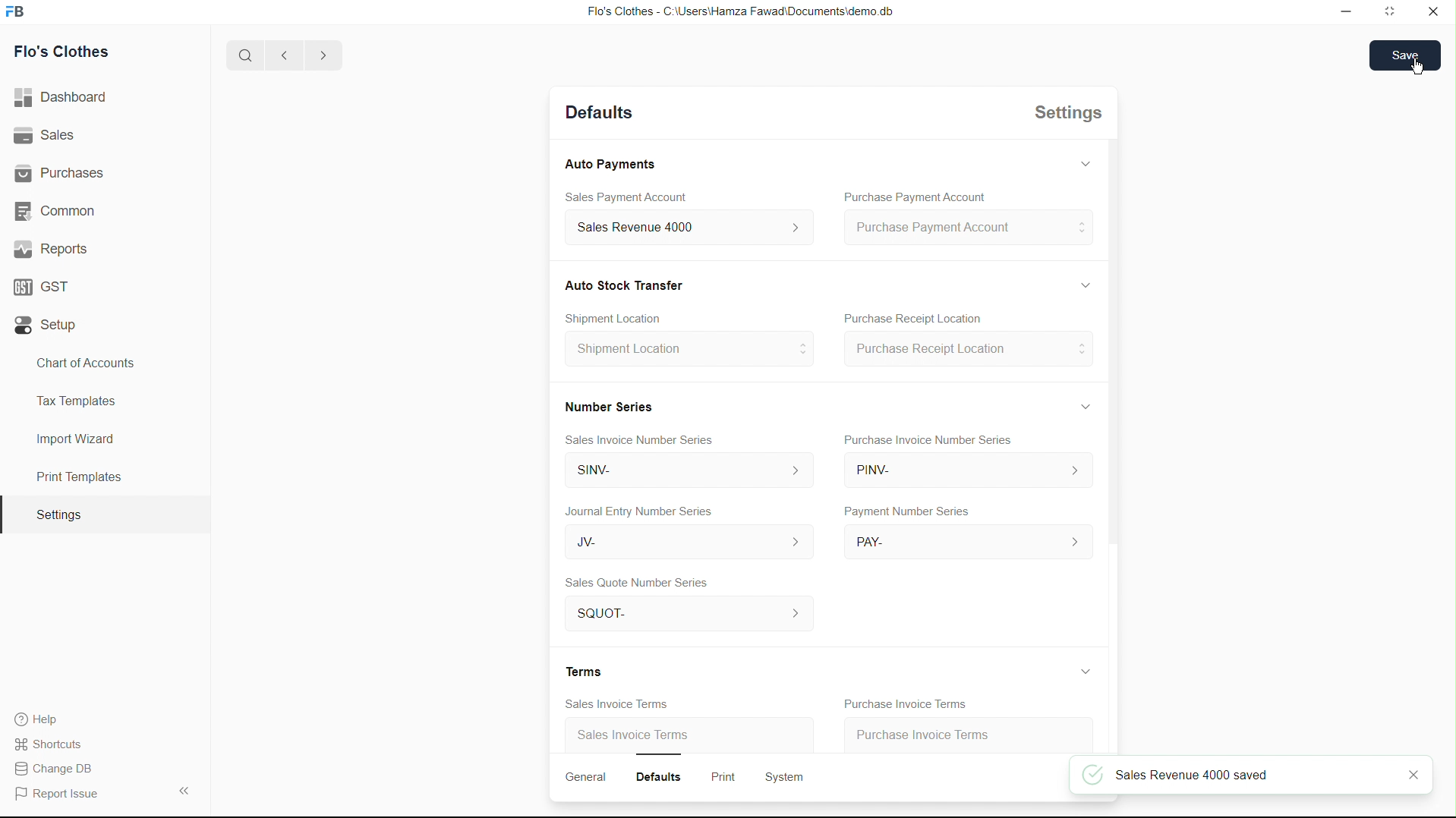  What do you see at coordinates (630, 197) in the screenshot?
I see `Sales Payment Account` at bounding box center [630, 197].